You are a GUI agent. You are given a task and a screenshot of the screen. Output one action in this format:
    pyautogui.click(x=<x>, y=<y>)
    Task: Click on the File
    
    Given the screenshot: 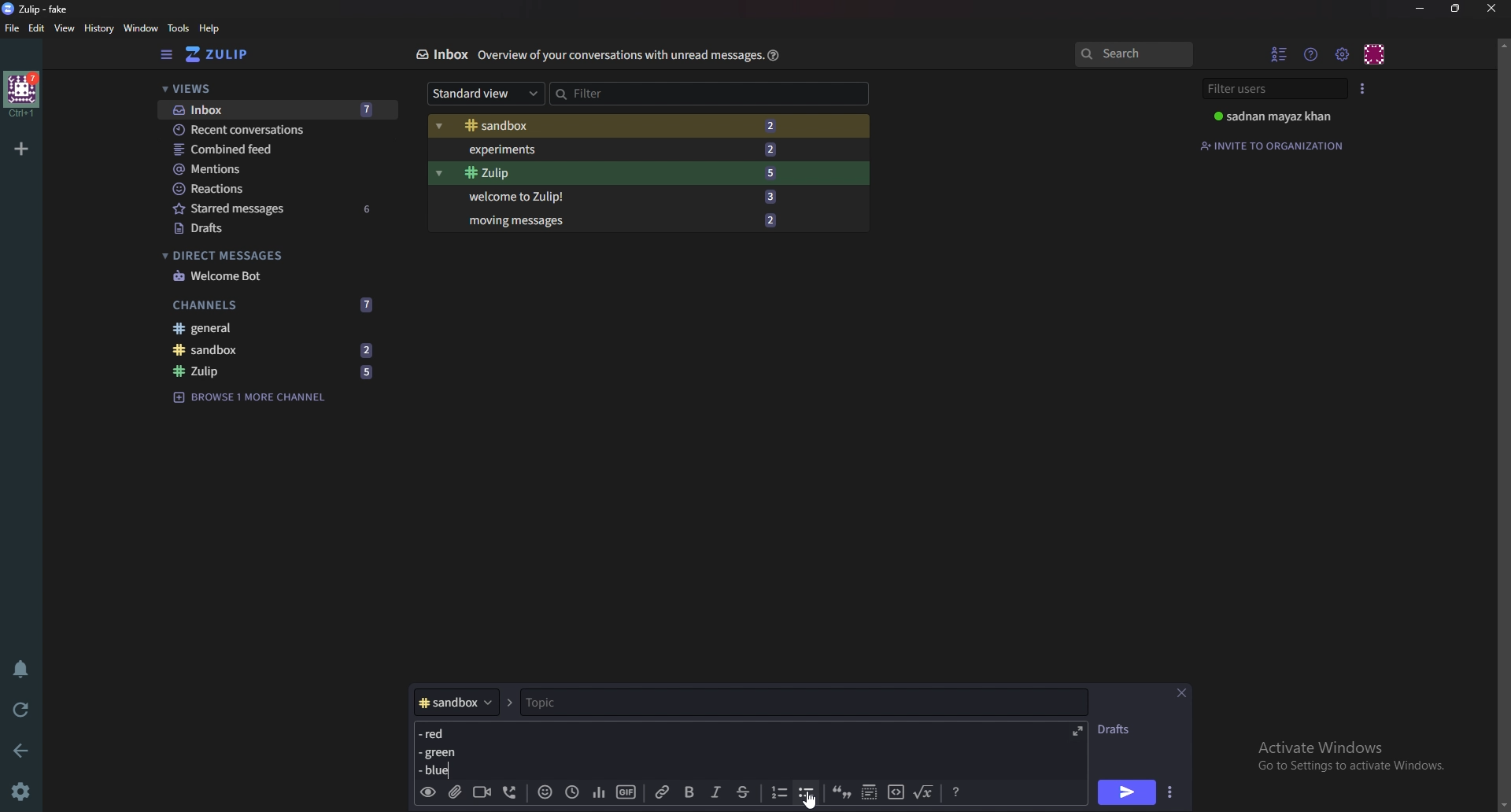 What is the action you would take?
    pyautogui.click(x=13, y=28)
    